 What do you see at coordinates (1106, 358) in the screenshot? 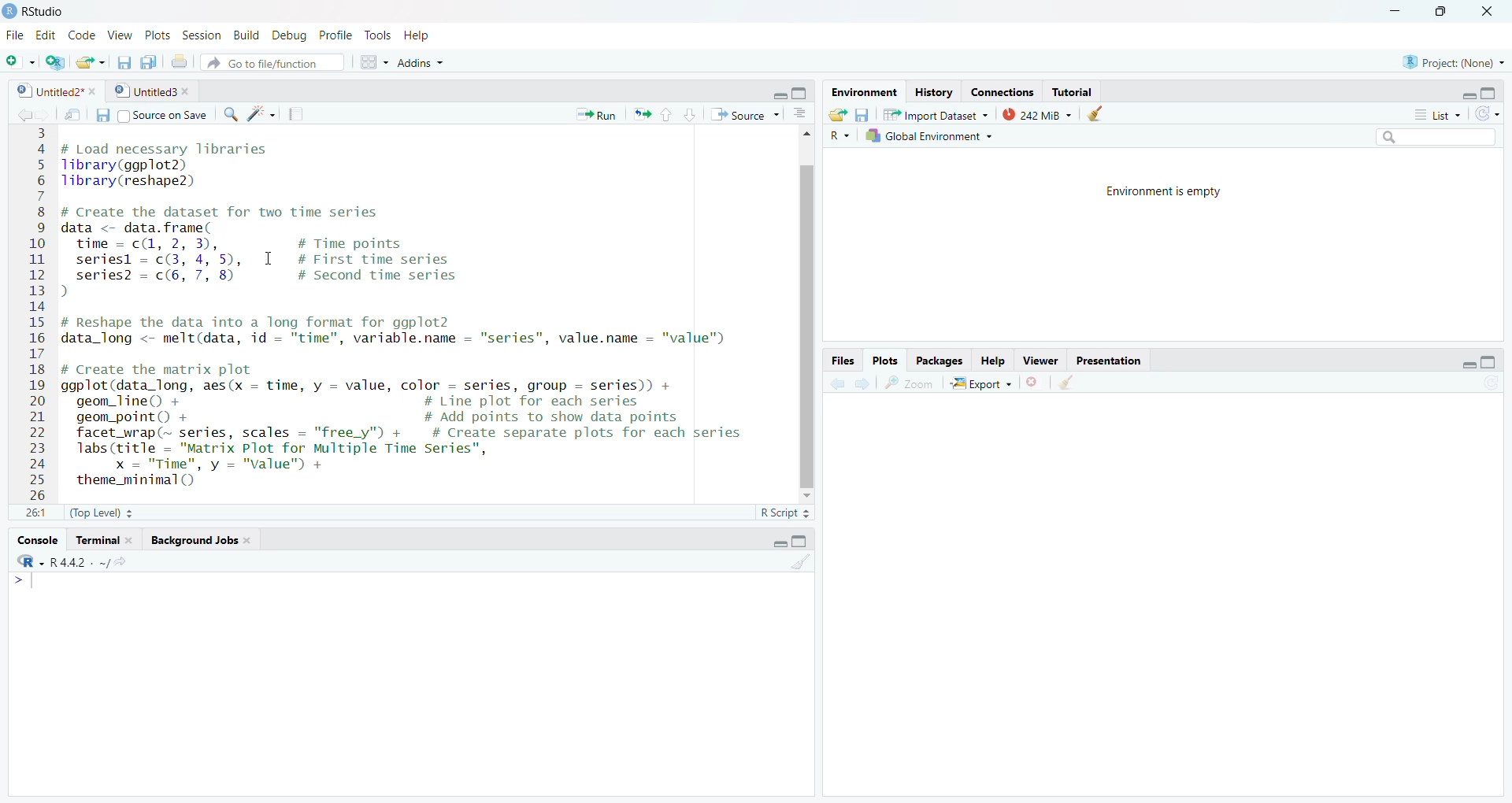
I see `Presentation` at bounding box center [1106, 358].